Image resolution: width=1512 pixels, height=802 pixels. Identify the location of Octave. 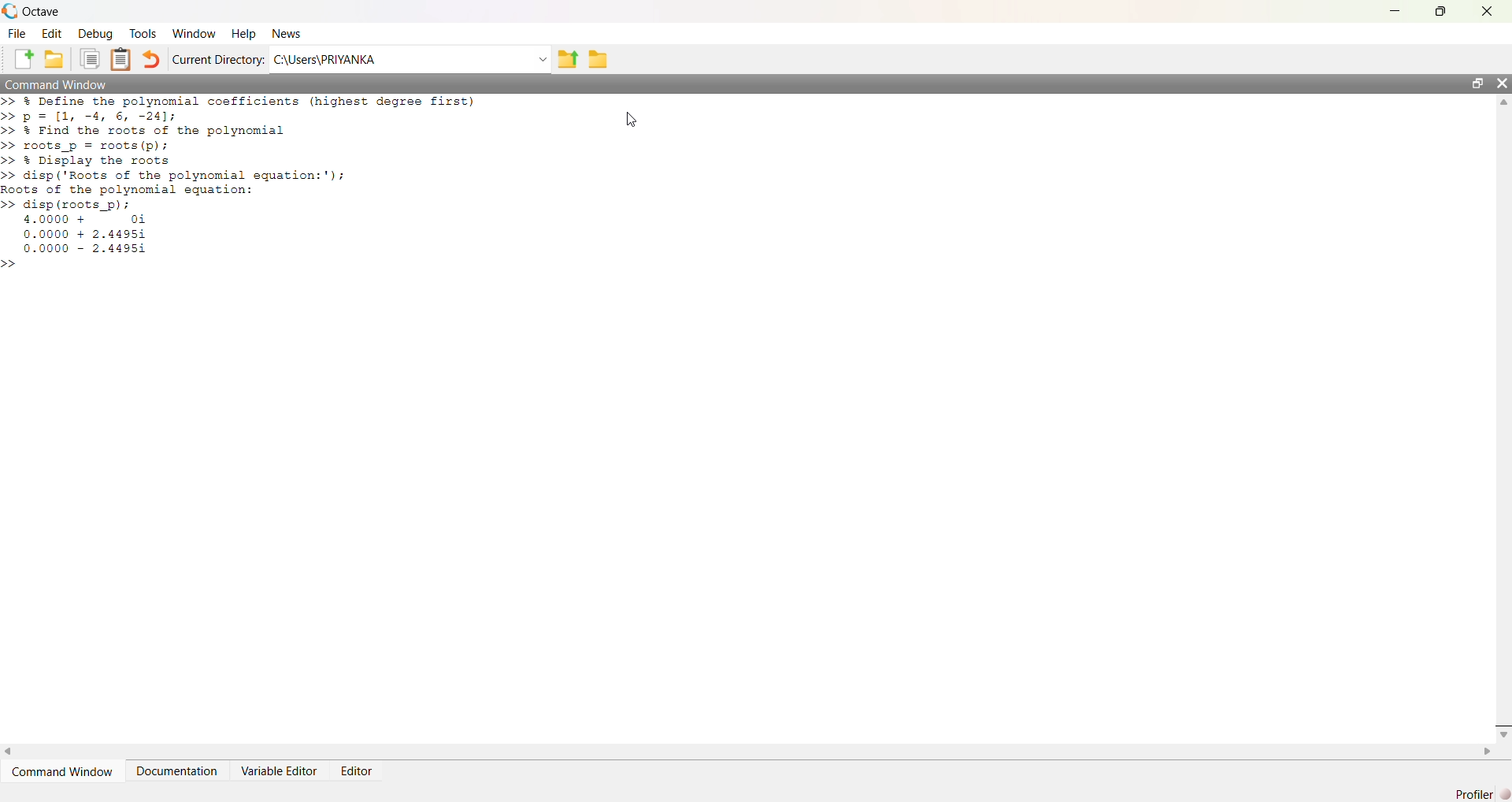
(39, 12).